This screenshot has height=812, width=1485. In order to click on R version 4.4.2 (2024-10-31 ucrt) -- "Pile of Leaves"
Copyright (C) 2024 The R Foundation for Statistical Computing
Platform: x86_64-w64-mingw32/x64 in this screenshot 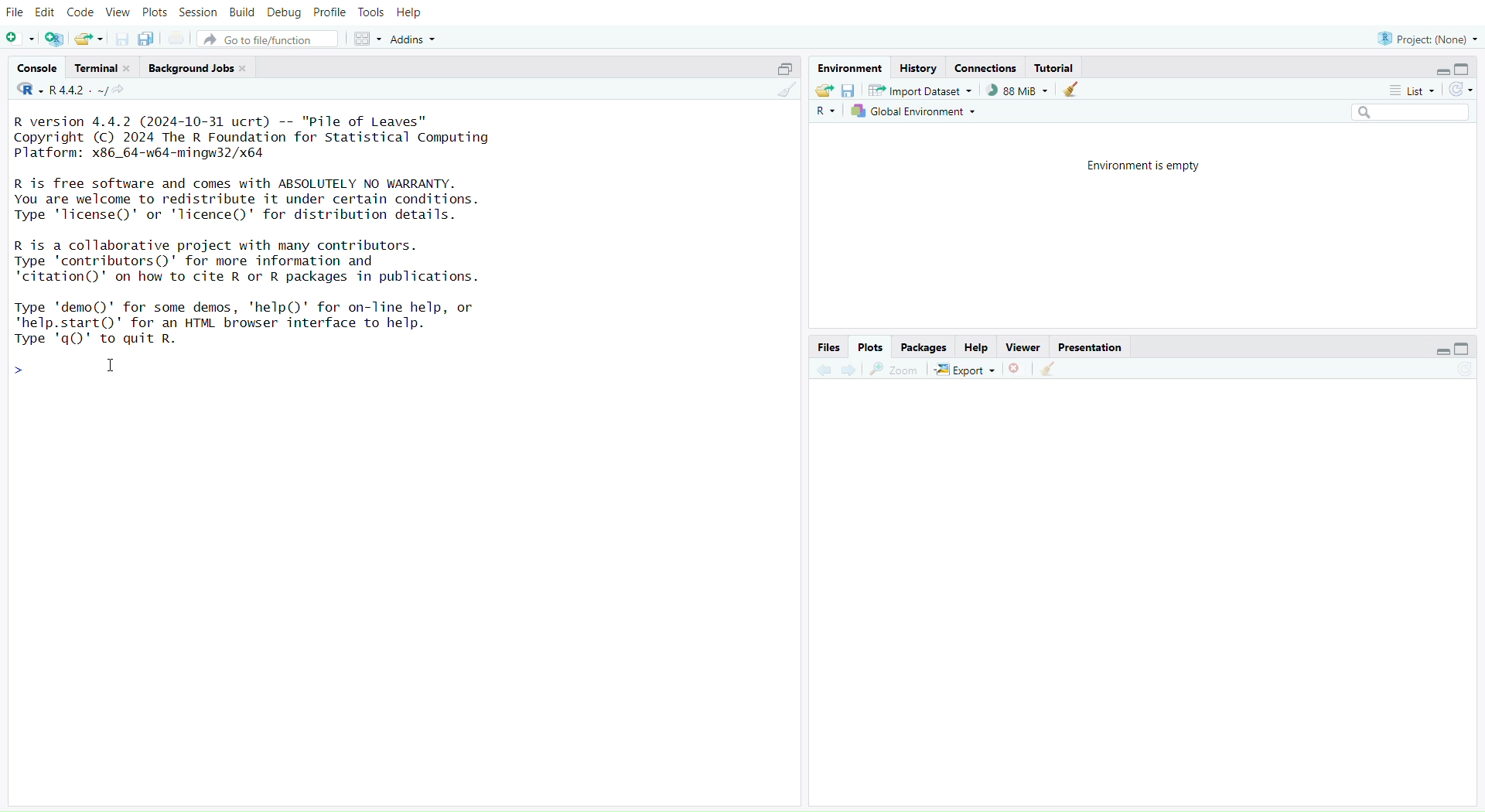, I will do `click(267, 138)`.